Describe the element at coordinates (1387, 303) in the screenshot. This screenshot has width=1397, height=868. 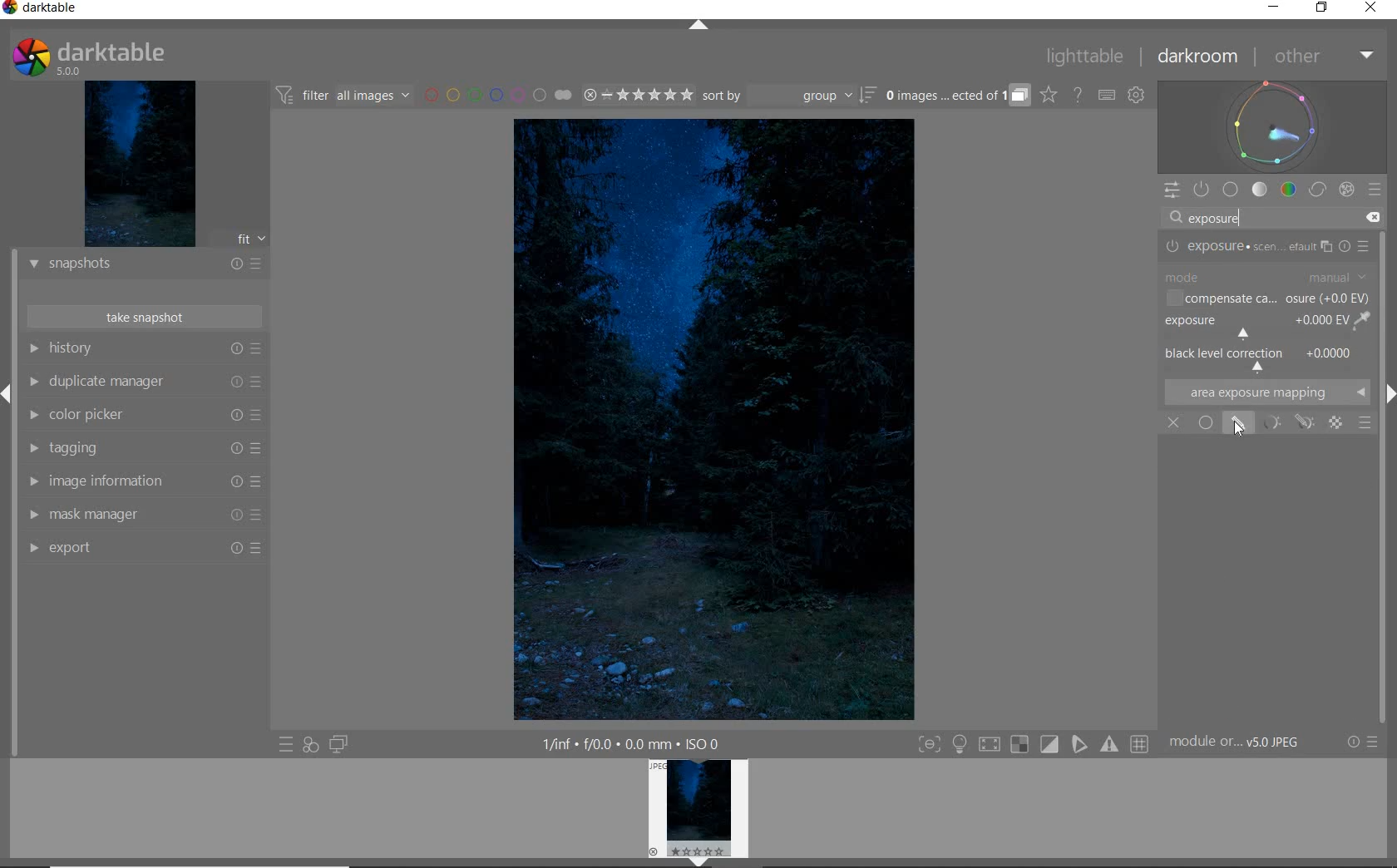
I see `SCROLLBAR` at that location.